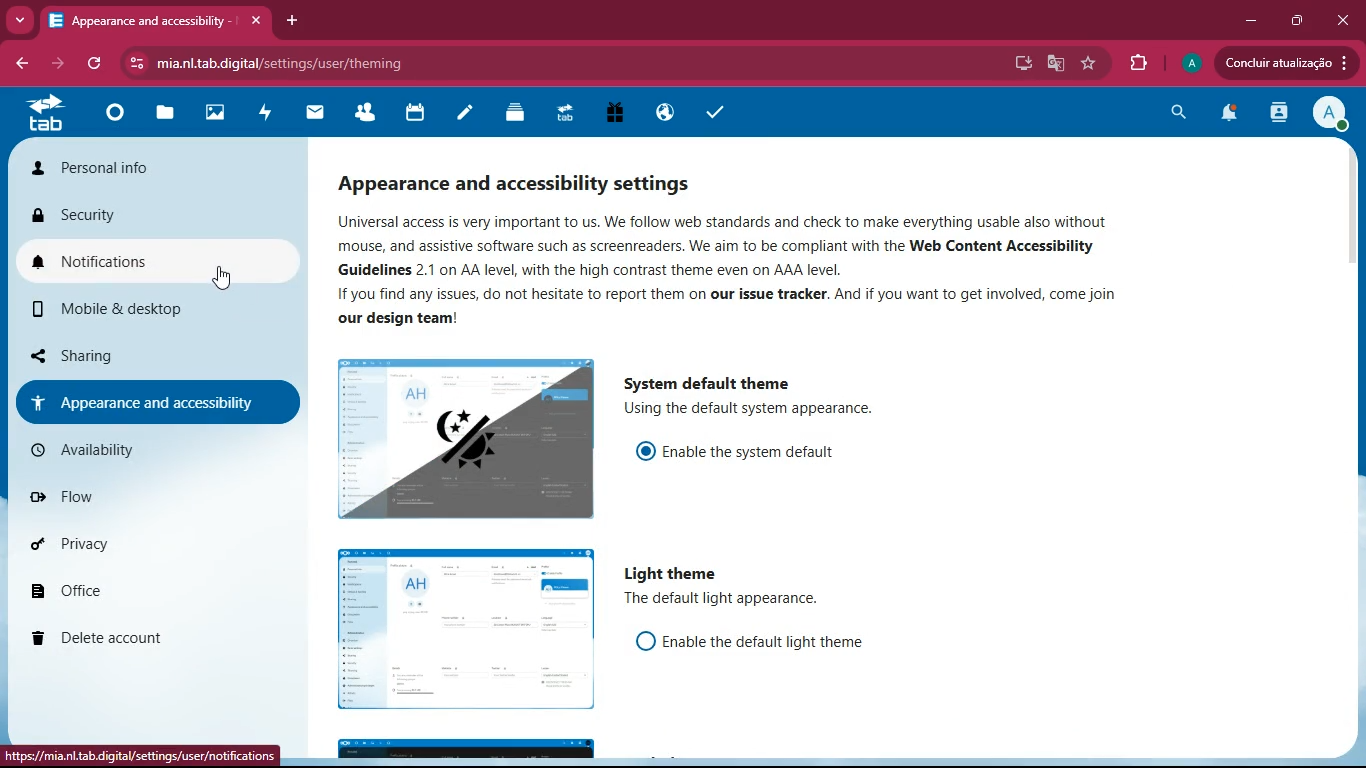 The height and width of the screenshot is (768, 1366). Describe the element at coordinates (165, 586) in the screenshot. I see `office` at that location.